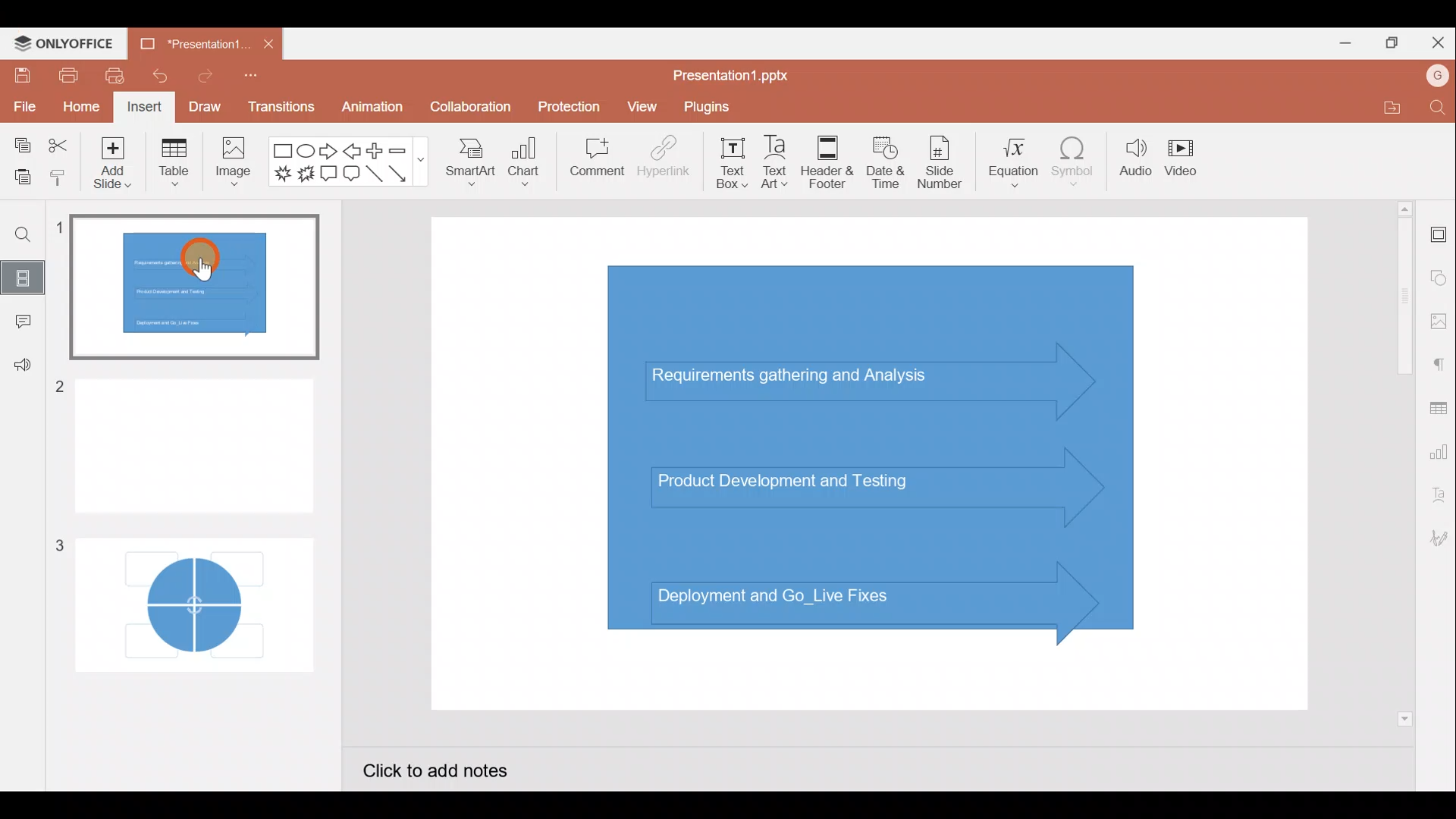 The height and width of the screenshot is (819, 1456). Describe the element at coordinates (1382, 107) in the screenshot. I see `Open file location` at that location.